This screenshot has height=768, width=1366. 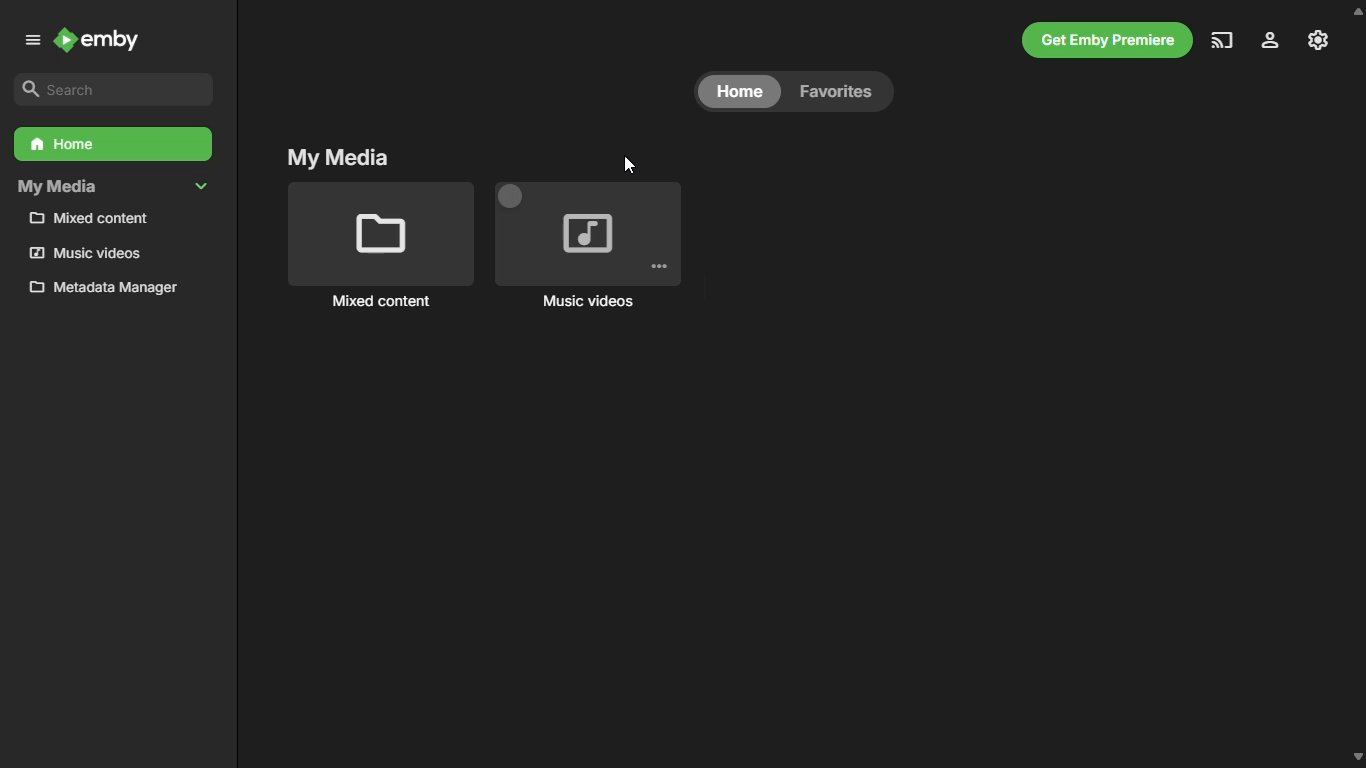 I want to click on my media, so click(x=56, y=187).